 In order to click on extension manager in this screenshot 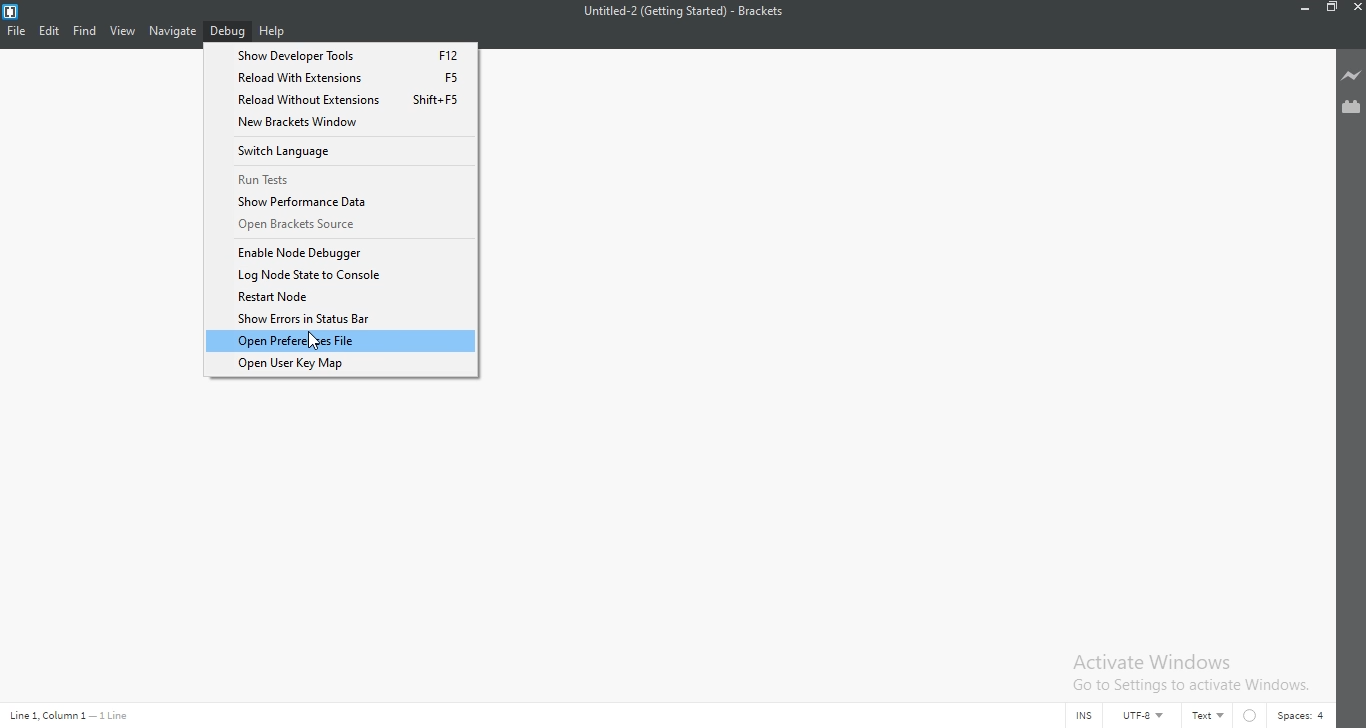, I will do `click(1351, 105)`.